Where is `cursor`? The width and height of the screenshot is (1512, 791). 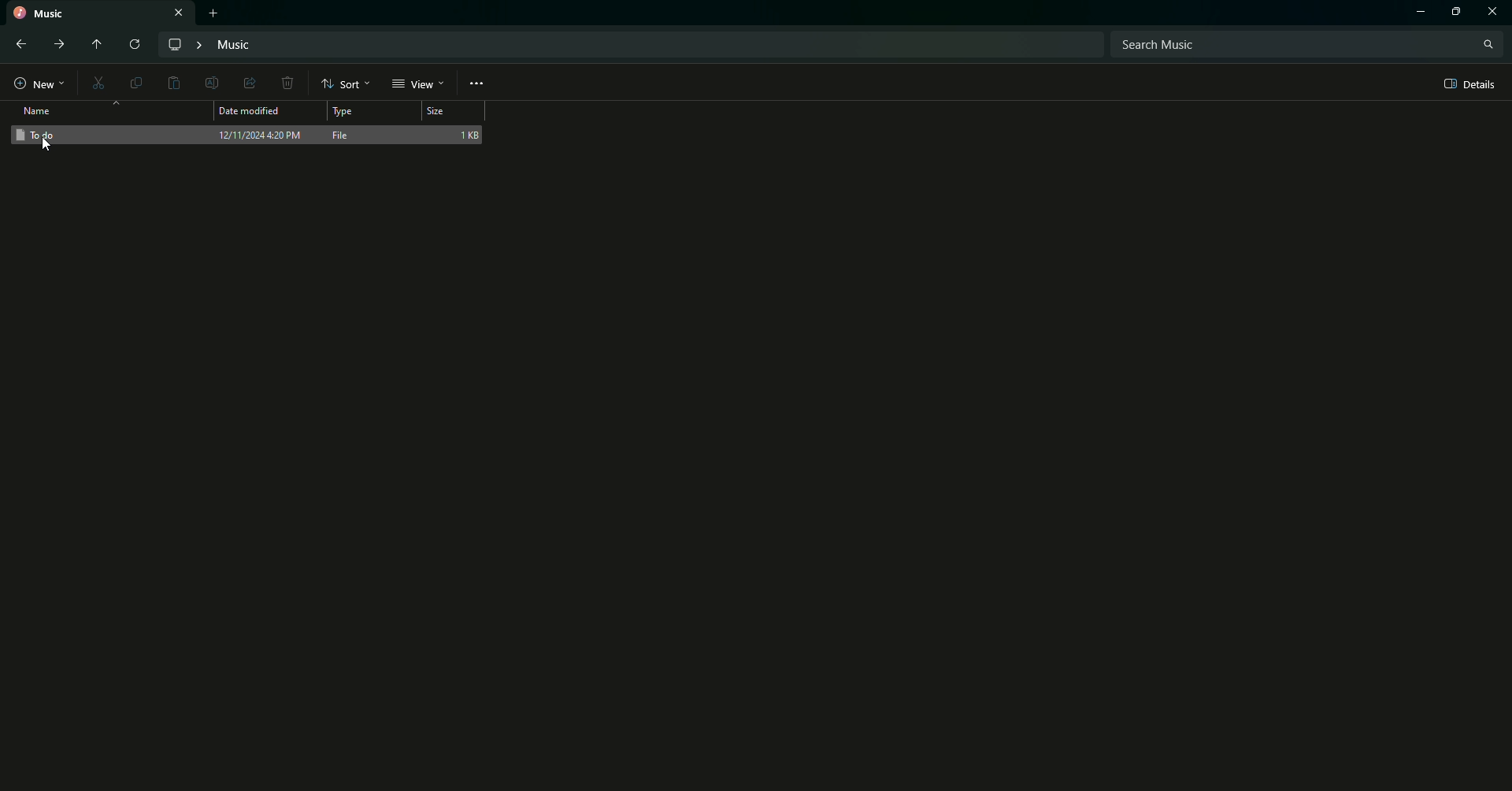
cursor is located at coordinates (47, 150).